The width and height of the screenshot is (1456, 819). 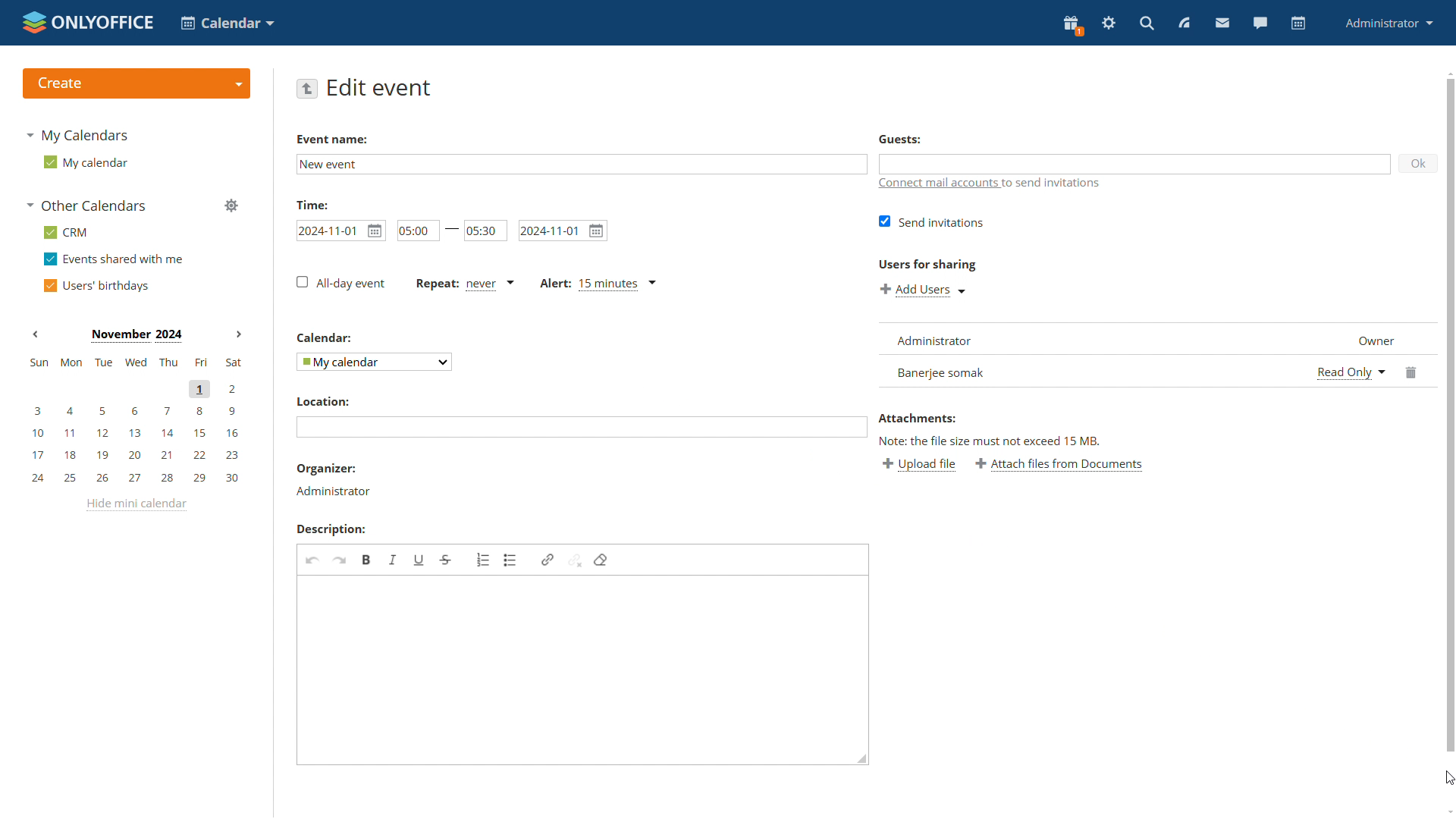 I want to click on go back, so click(x=306, y=88).